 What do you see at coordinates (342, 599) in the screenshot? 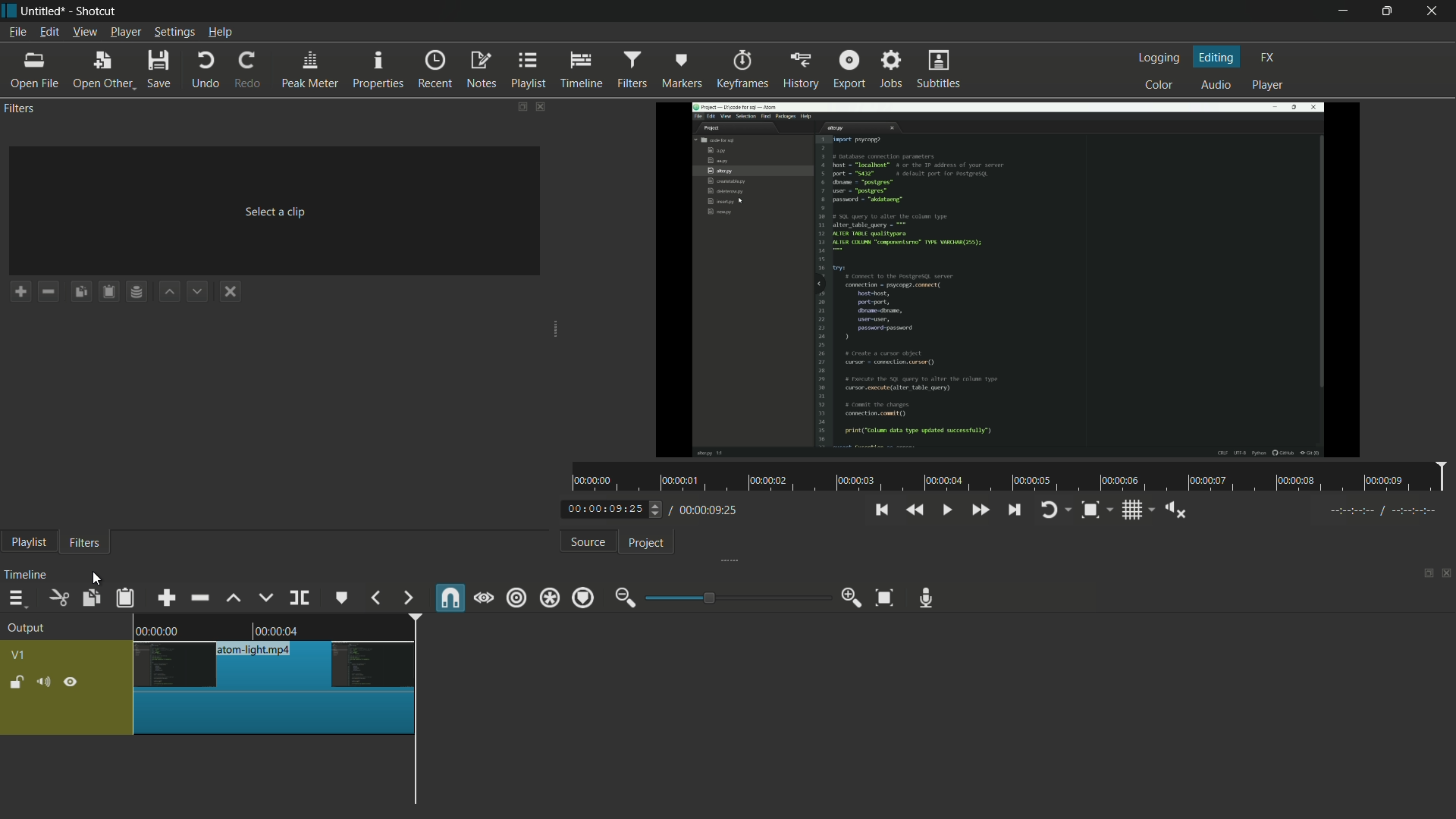
I see `create or edit marker` at bounding box center [342, 599].